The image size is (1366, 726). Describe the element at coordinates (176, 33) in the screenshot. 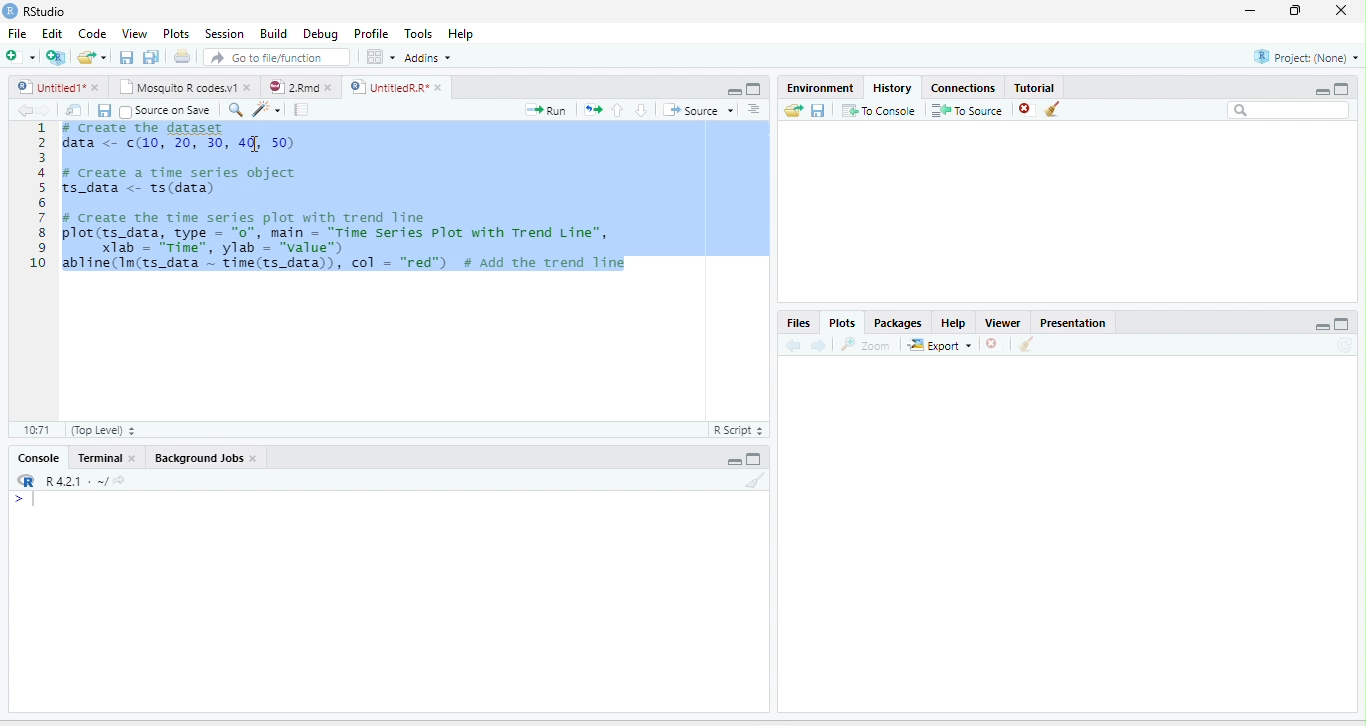

I see `Plots` at that location.